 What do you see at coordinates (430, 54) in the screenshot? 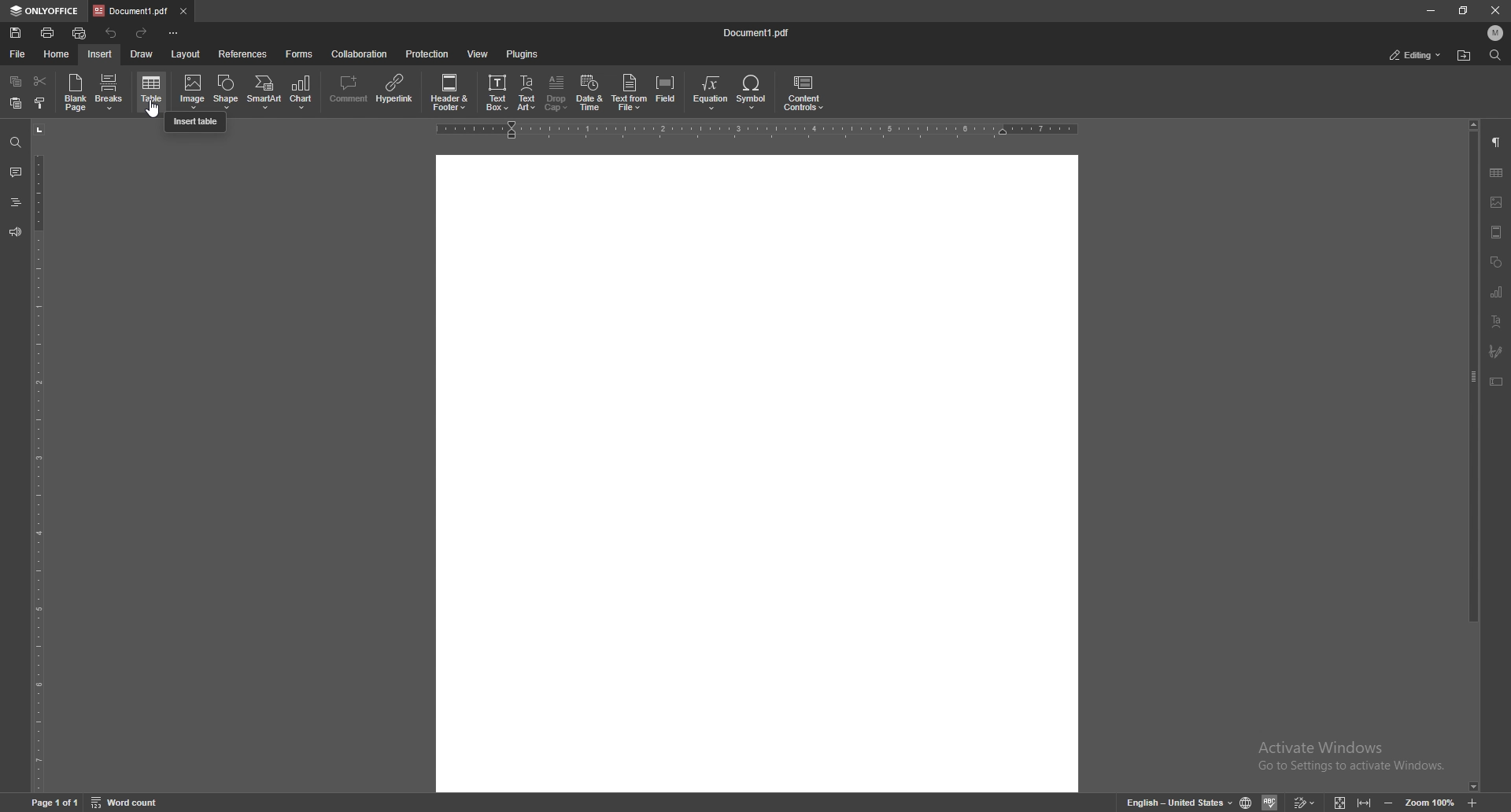
I see `protection` at bounding box center [430, 54].